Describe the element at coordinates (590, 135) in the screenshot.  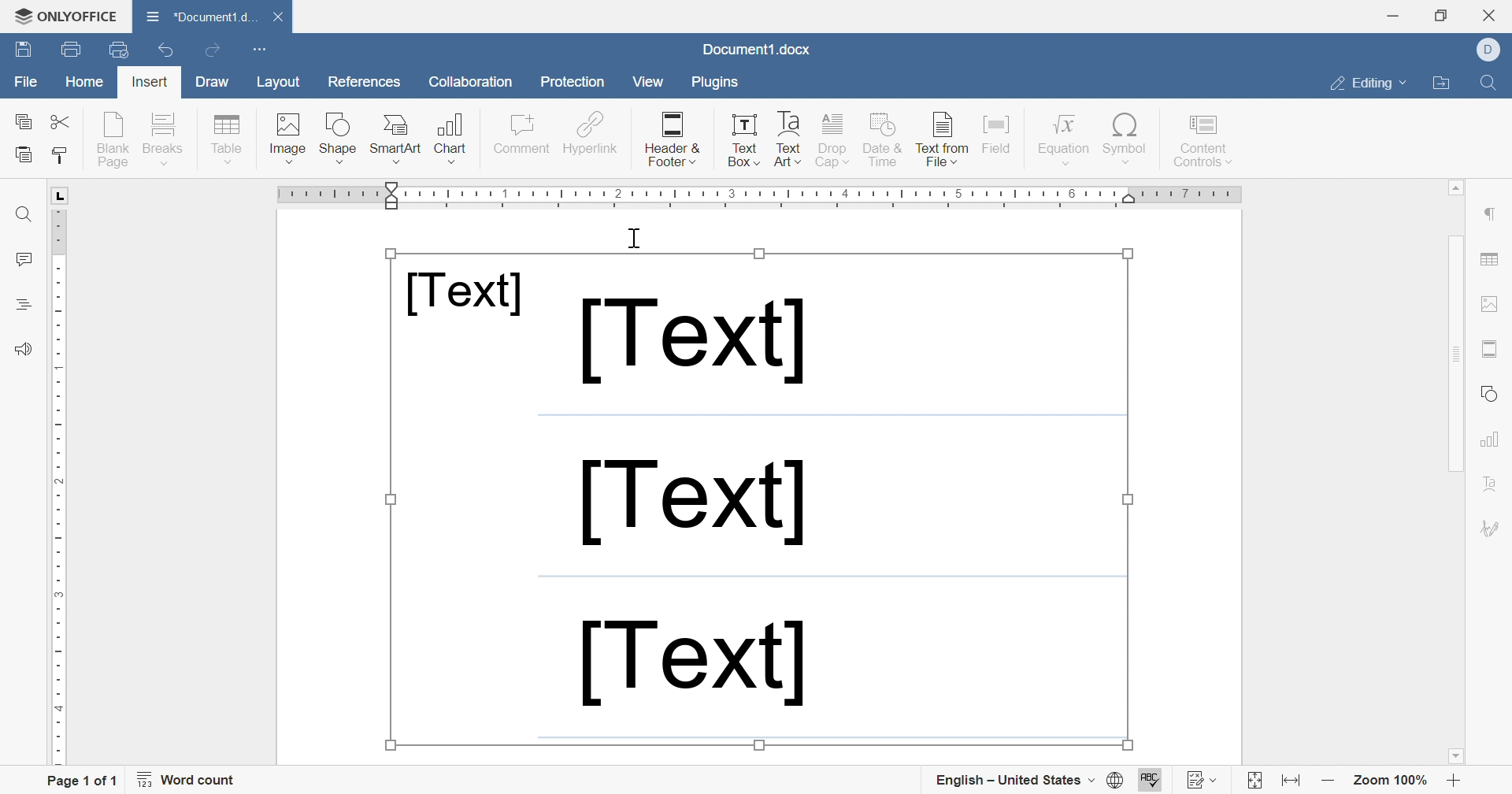
I see `Hyperlink` at that location.